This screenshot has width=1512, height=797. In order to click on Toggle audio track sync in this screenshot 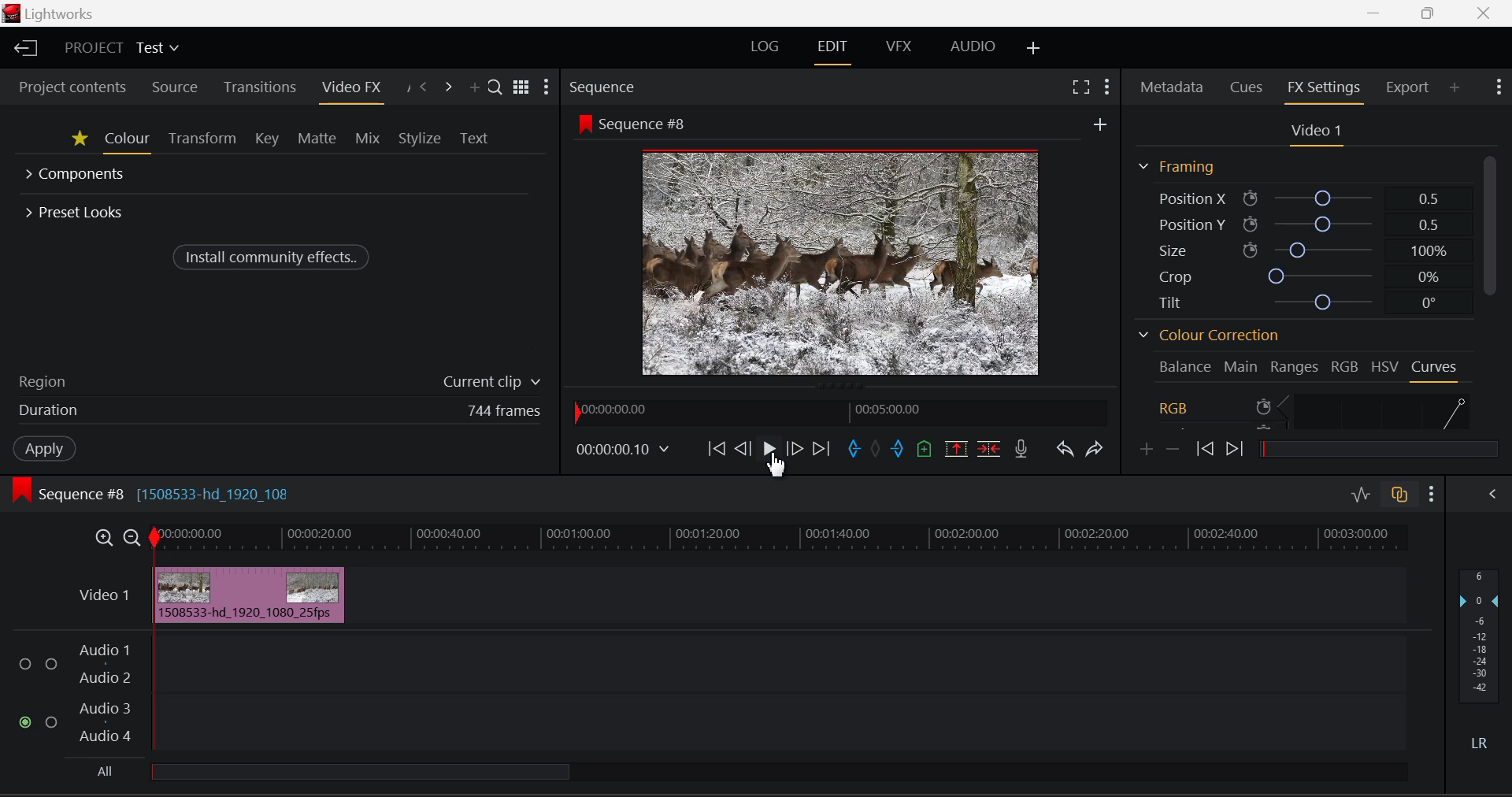, I will do `click(1399, 498)`.